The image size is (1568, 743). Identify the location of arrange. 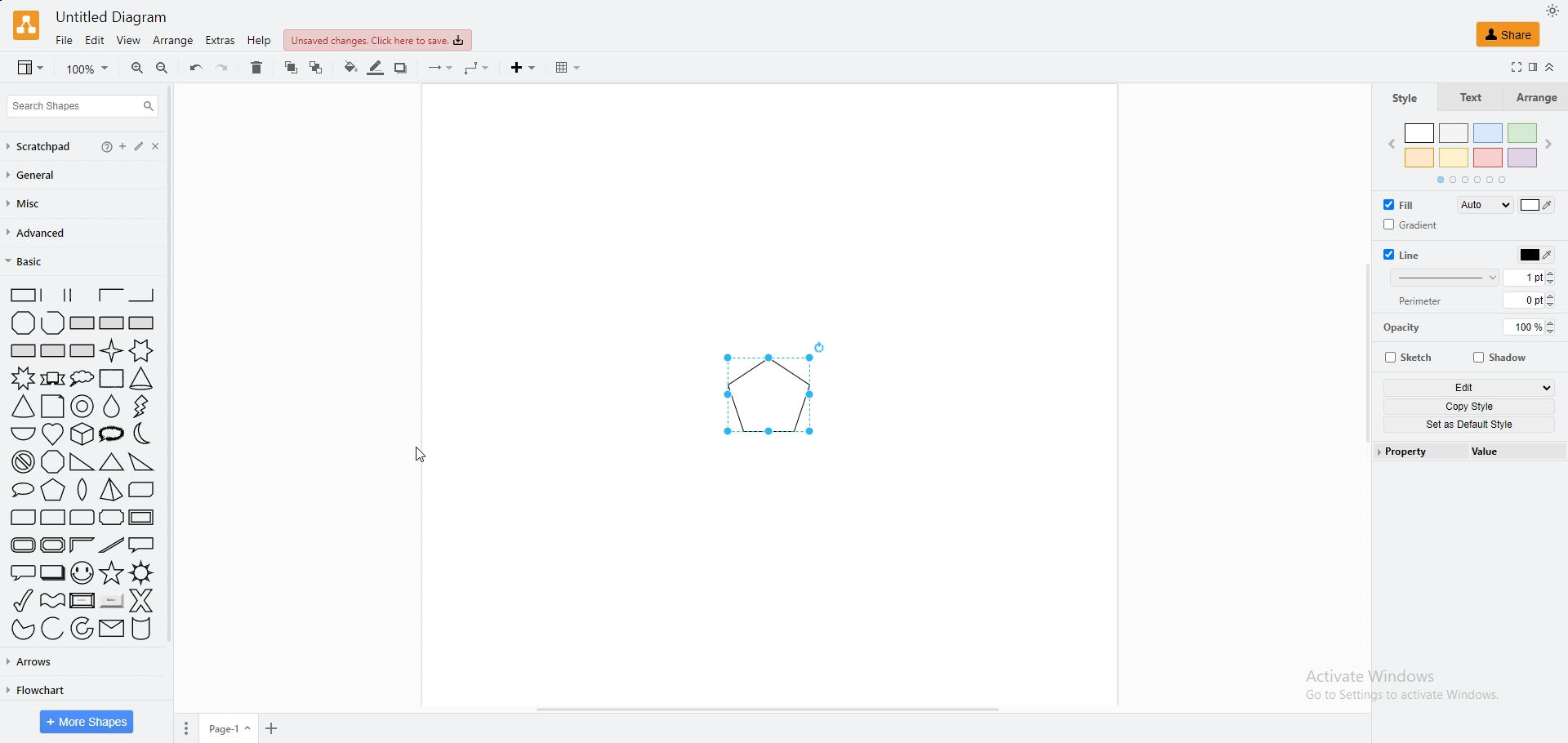
(174, 41).